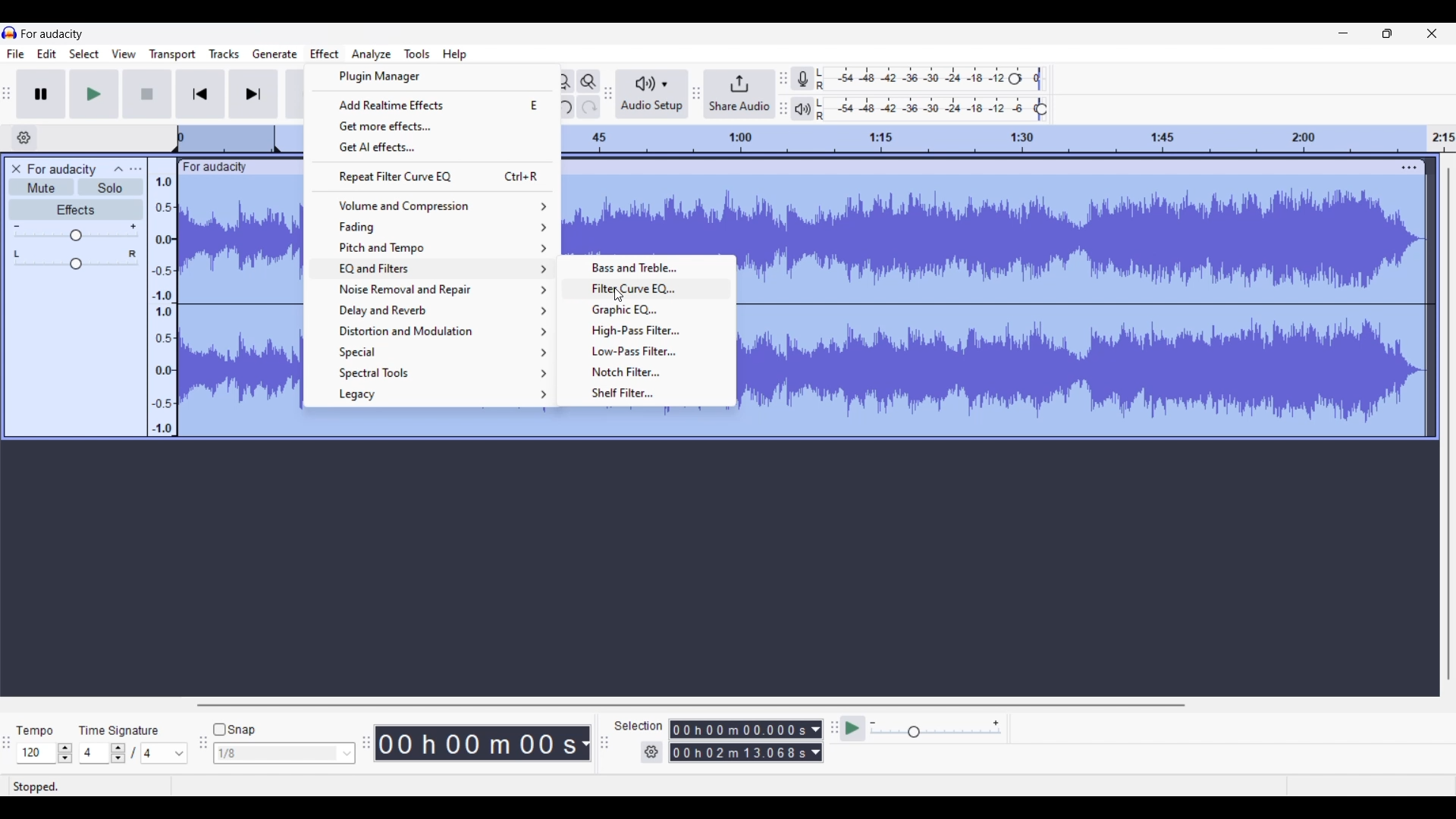  What do you see at coordinates (200, 94) in the screenshot?
I see `Skip/Select to start` at bounding box center [200, 94].